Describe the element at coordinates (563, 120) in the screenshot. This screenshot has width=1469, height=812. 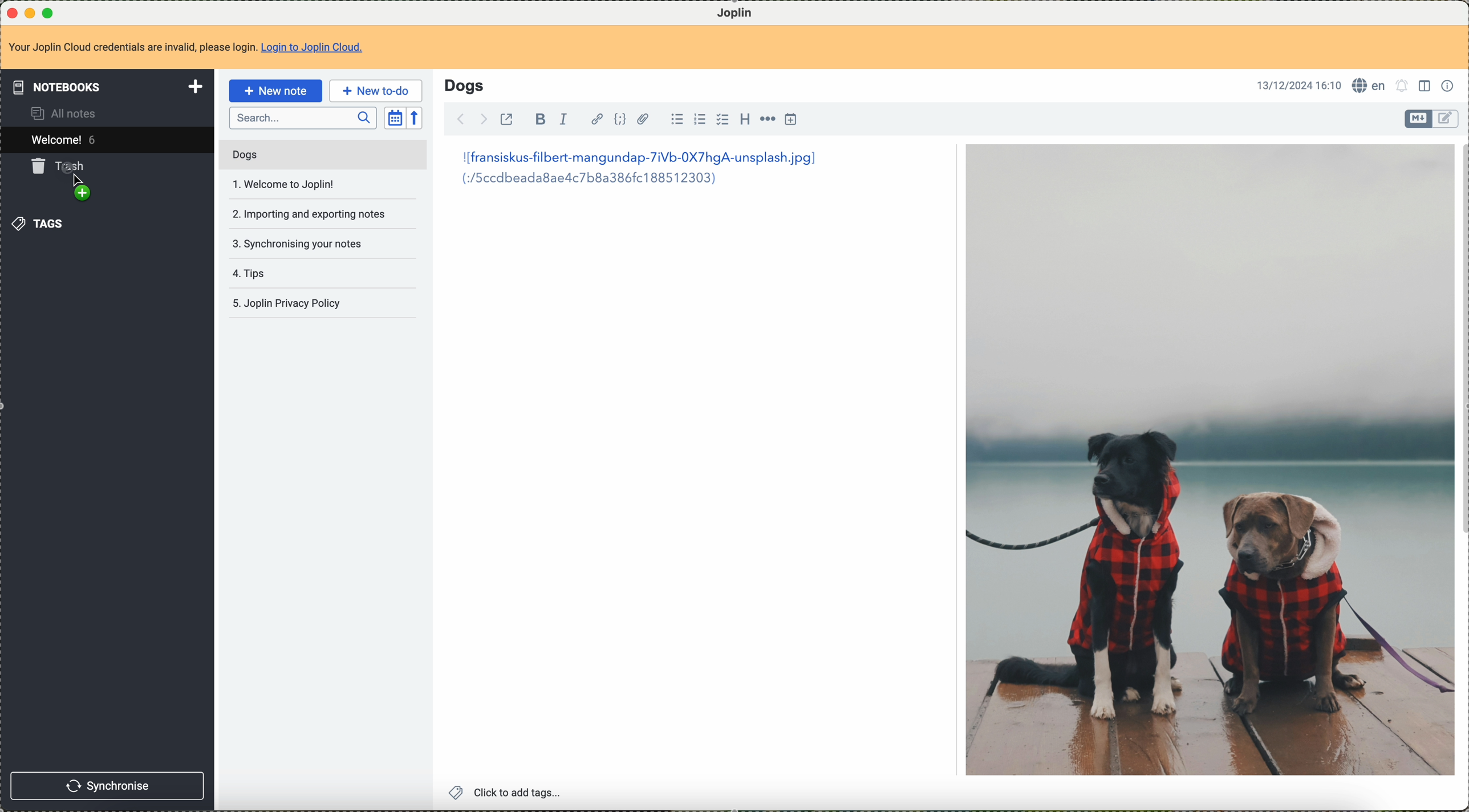
I see `italic` at that location.